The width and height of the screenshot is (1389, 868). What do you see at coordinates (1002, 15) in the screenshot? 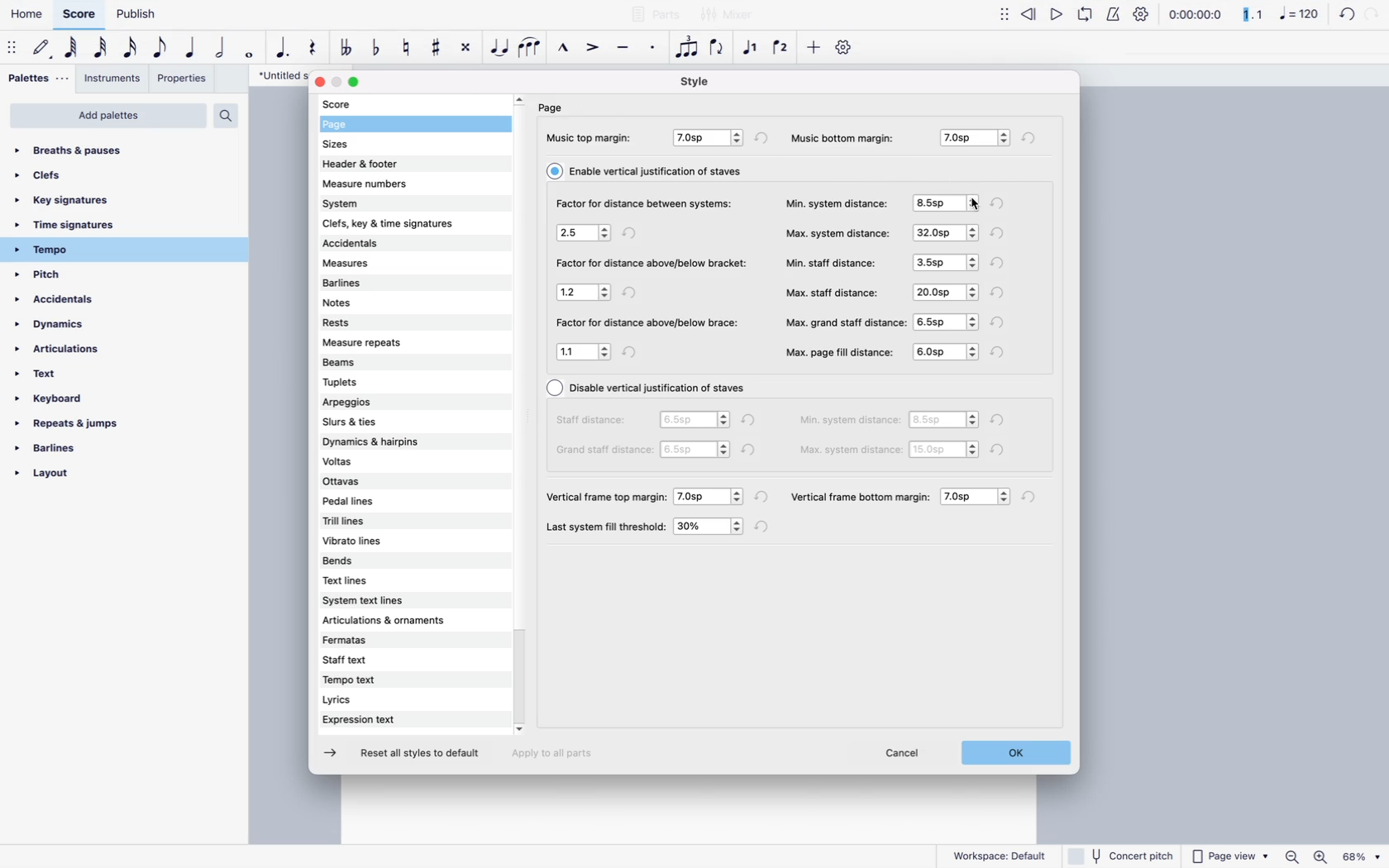
I see `More` at bounding box center [1002, 15].